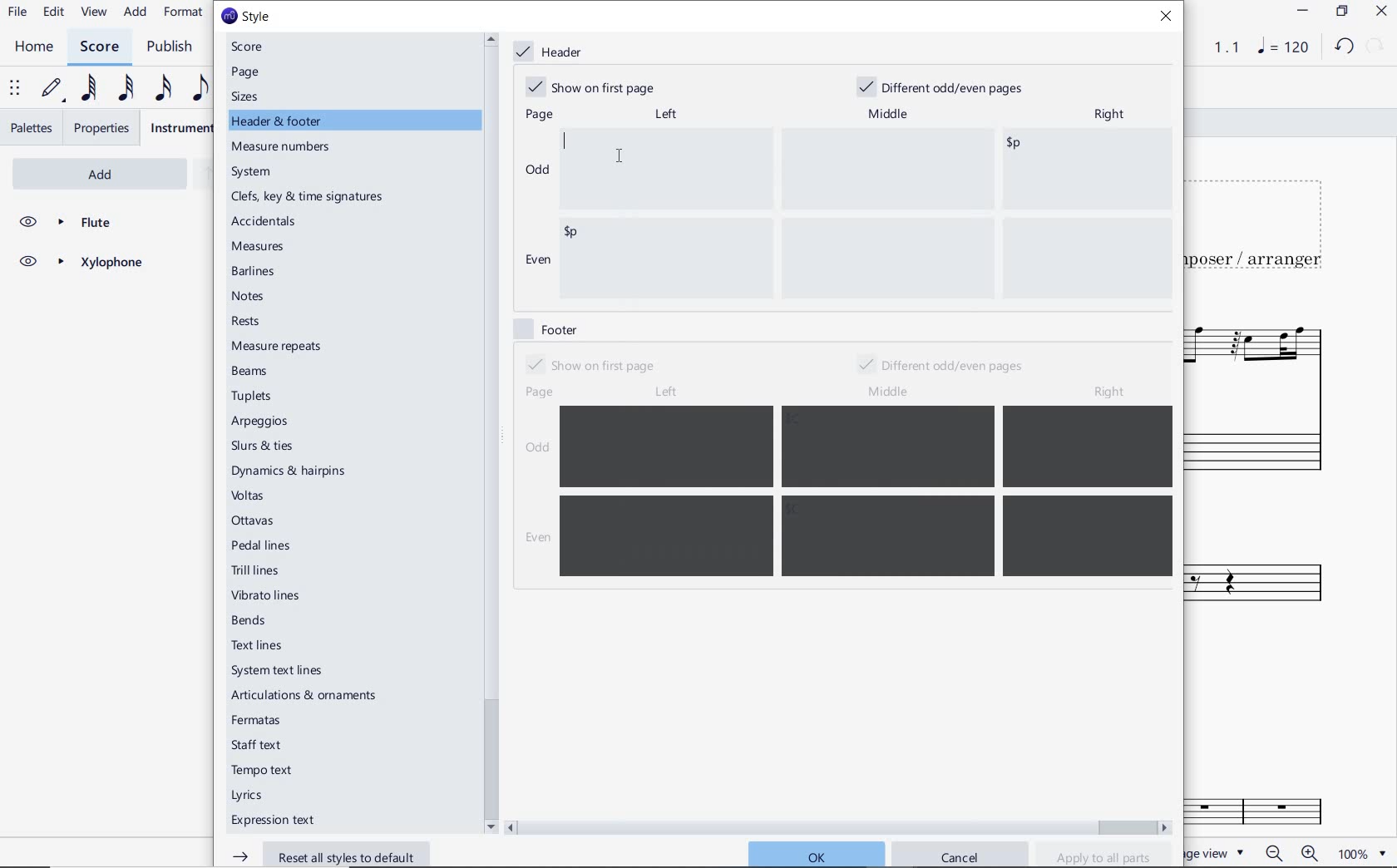 The height and width of the screenshot is (868, 1397). I want to click on 16TH NOTE, so click(163, 87).